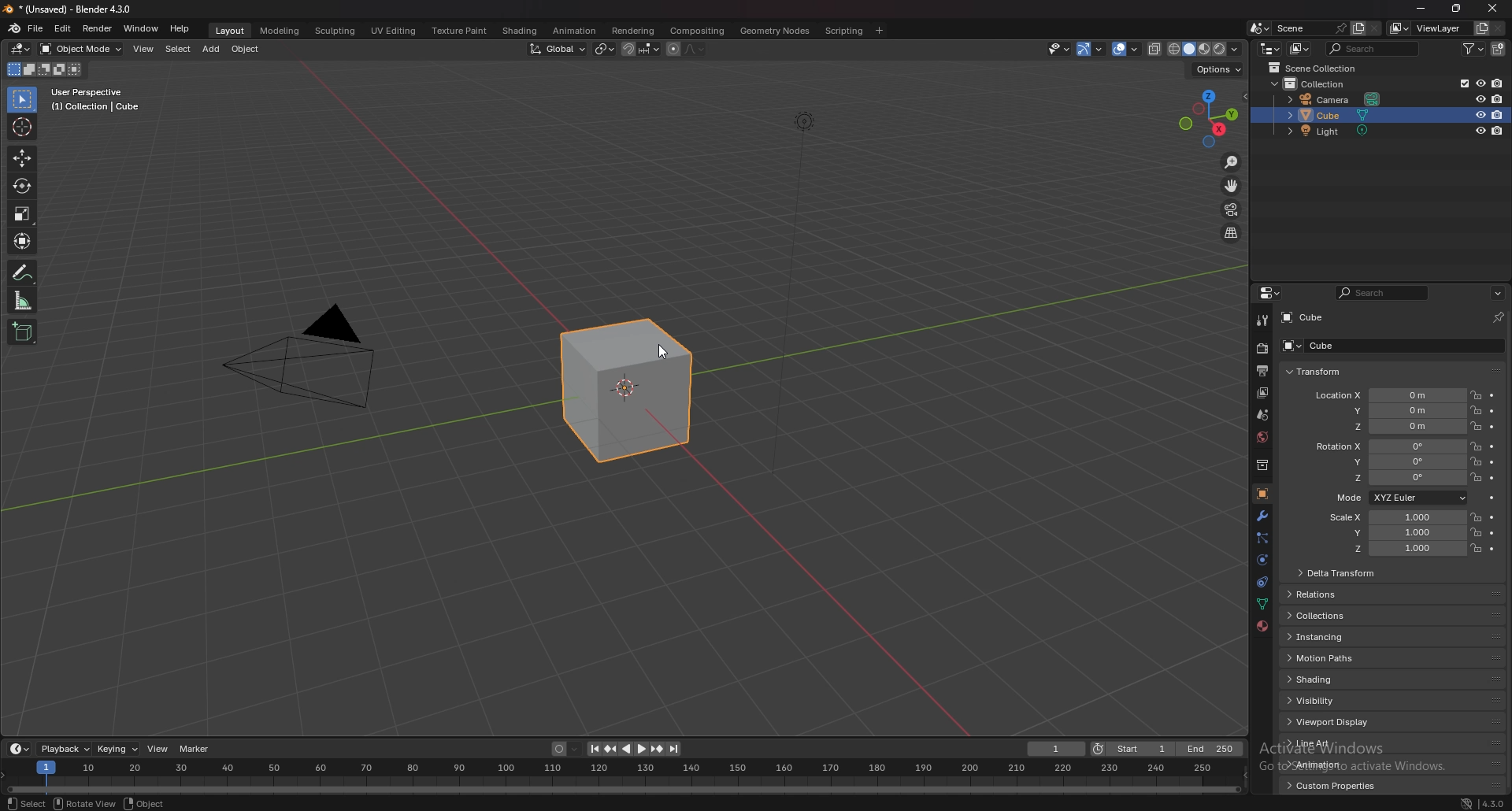 The width and height of the screenshot is (1512, 811). I want to click on view, so click(157, 747).